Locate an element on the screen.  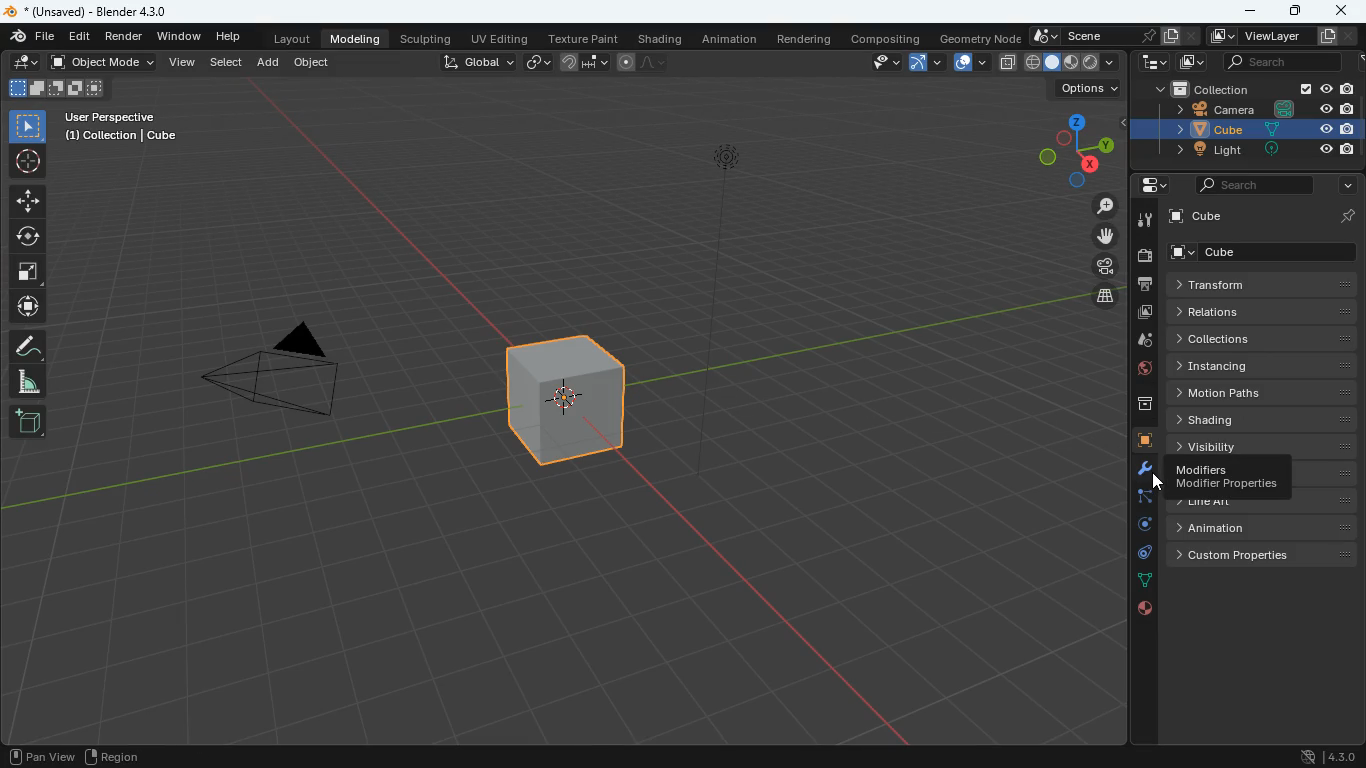
user perspective is located at coordinates (130, 125).